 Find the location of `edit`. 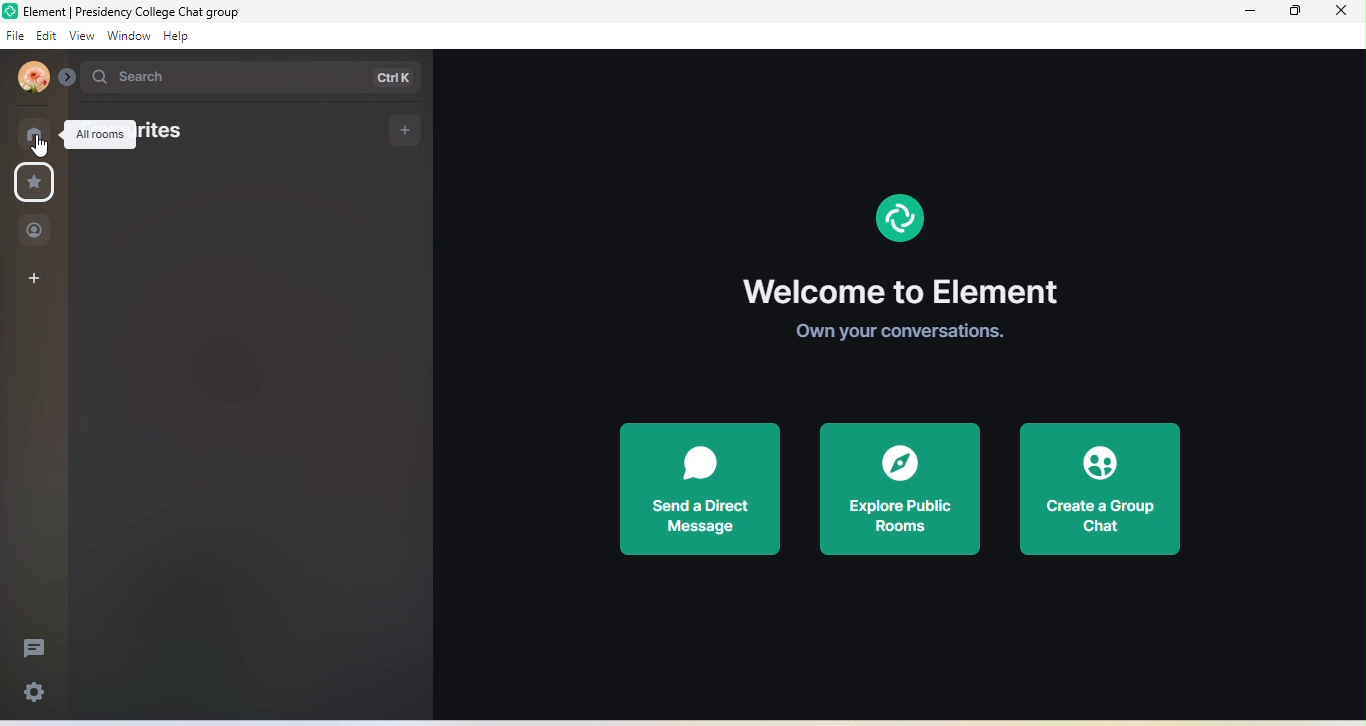

edit is located at coordinates (47, 37).